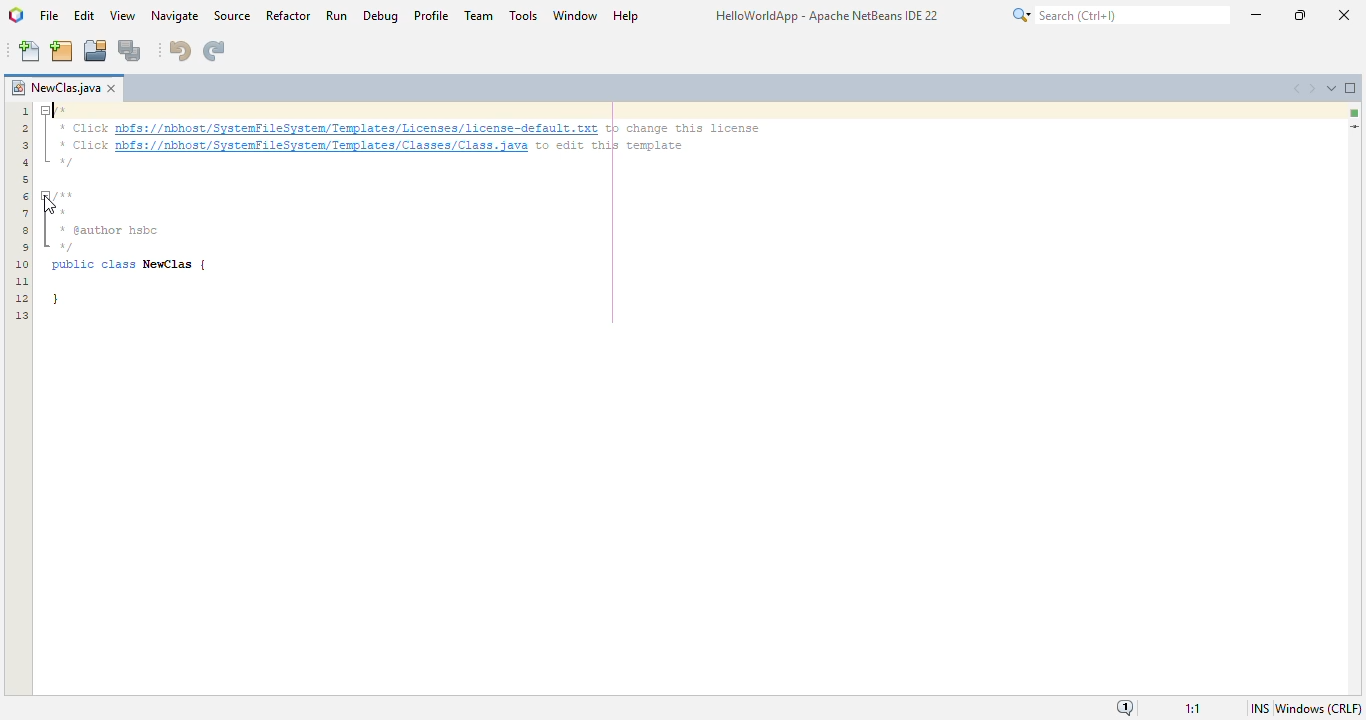 This screenshot has width=1366, height=720. Describe the element at coordinates (174, 16) in the screenshot. I see `navigate` at that location.